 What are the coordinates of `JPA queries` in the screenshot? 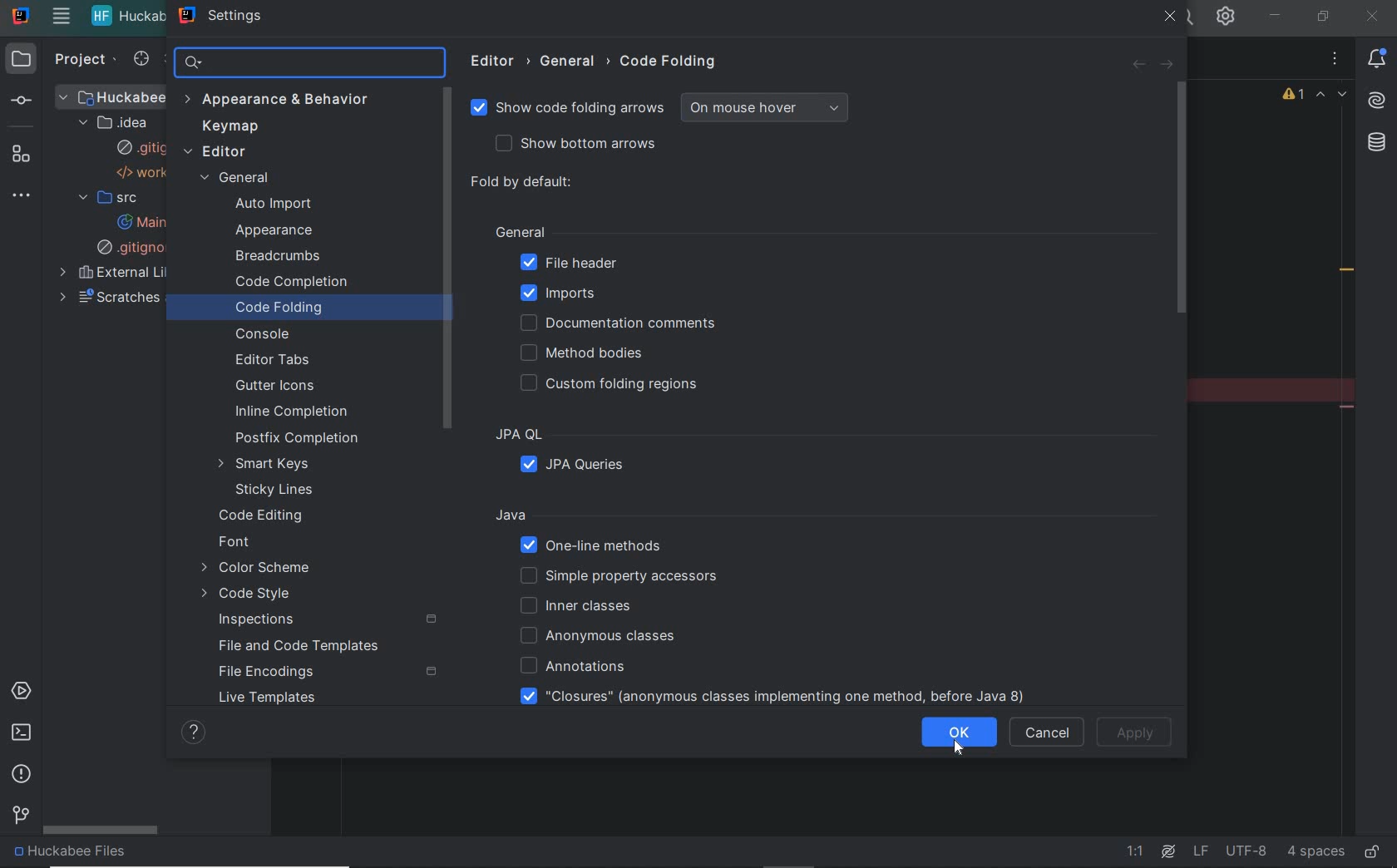 It's located at (581, 466).